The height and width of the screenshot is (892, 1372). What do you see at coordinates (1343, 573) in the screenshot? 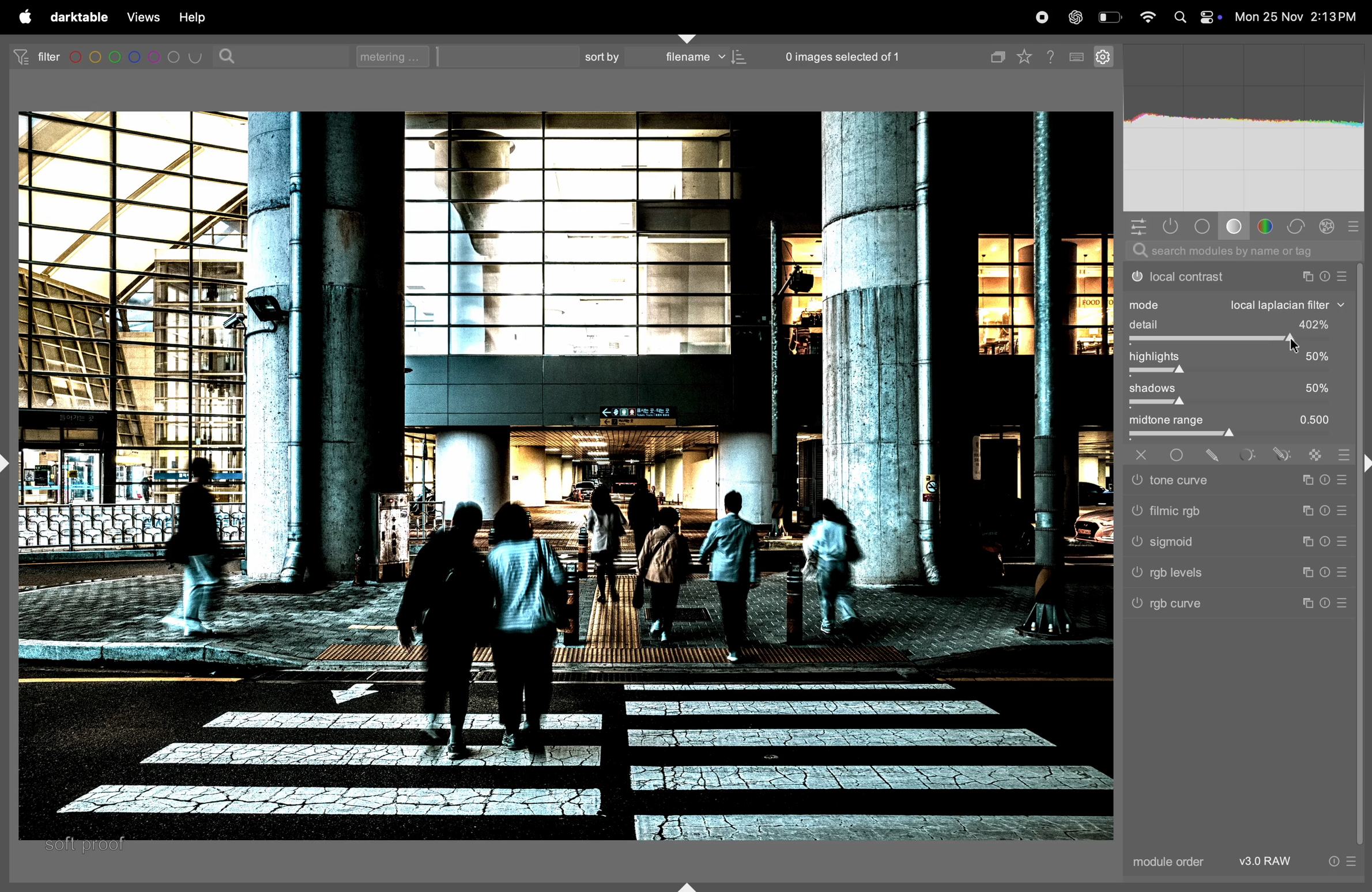
I see `preset` at bounding box center [1343, 573].